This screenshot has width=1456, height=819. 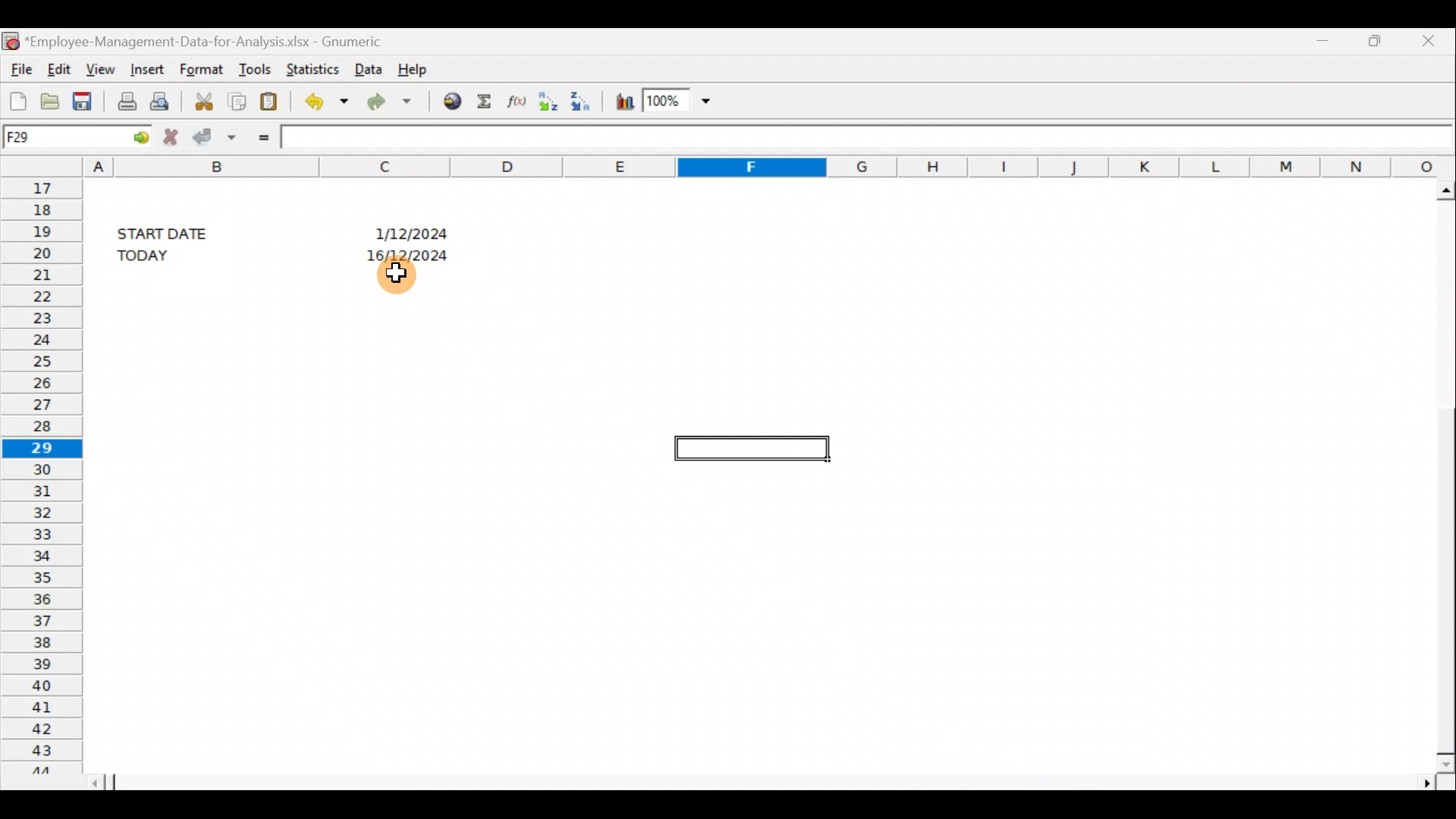 I want to click on Gnumeric logo, so click(x=11, y=39).